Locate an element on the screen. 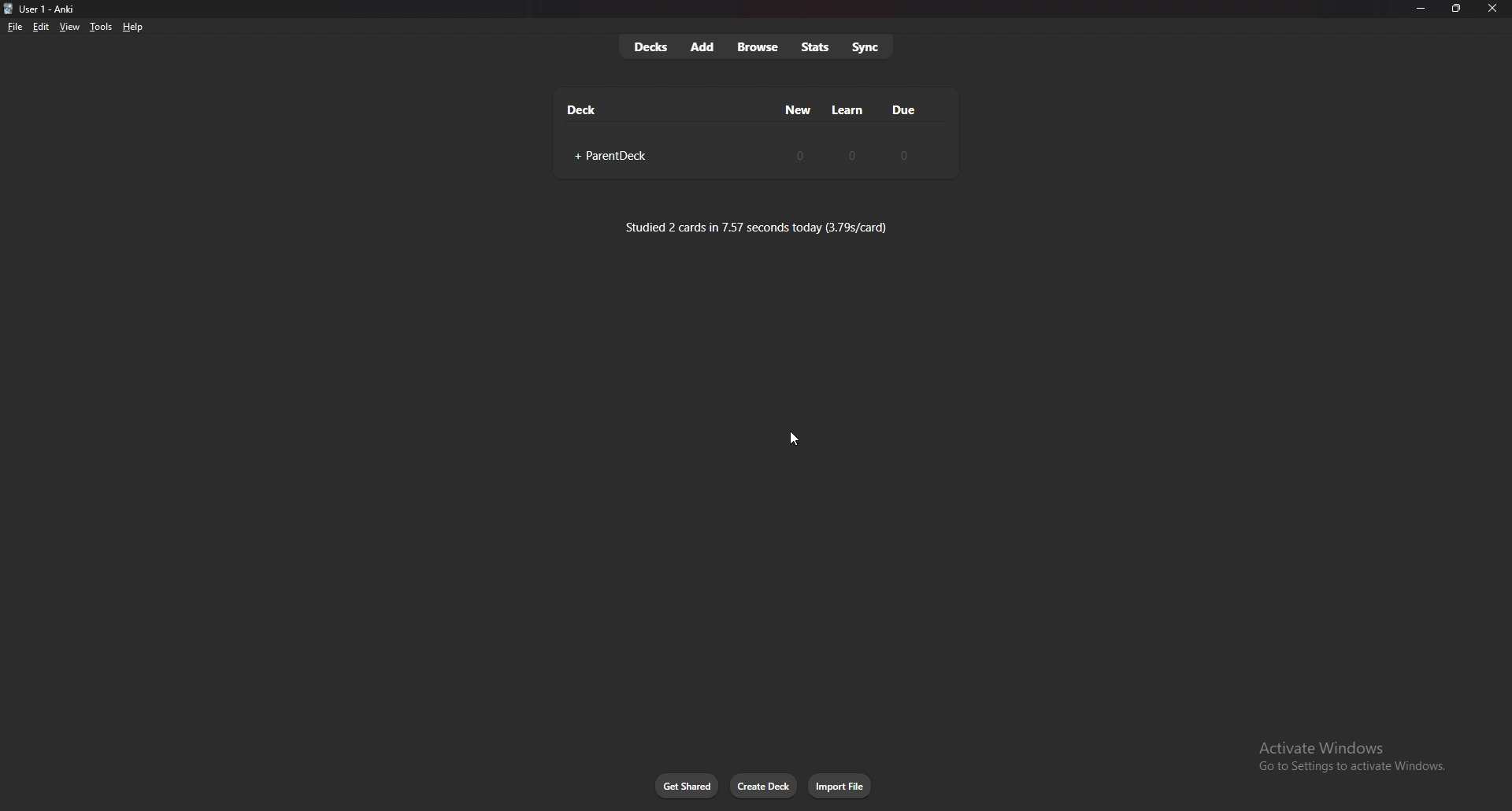  minimize is located at coordinates (1420, 9).